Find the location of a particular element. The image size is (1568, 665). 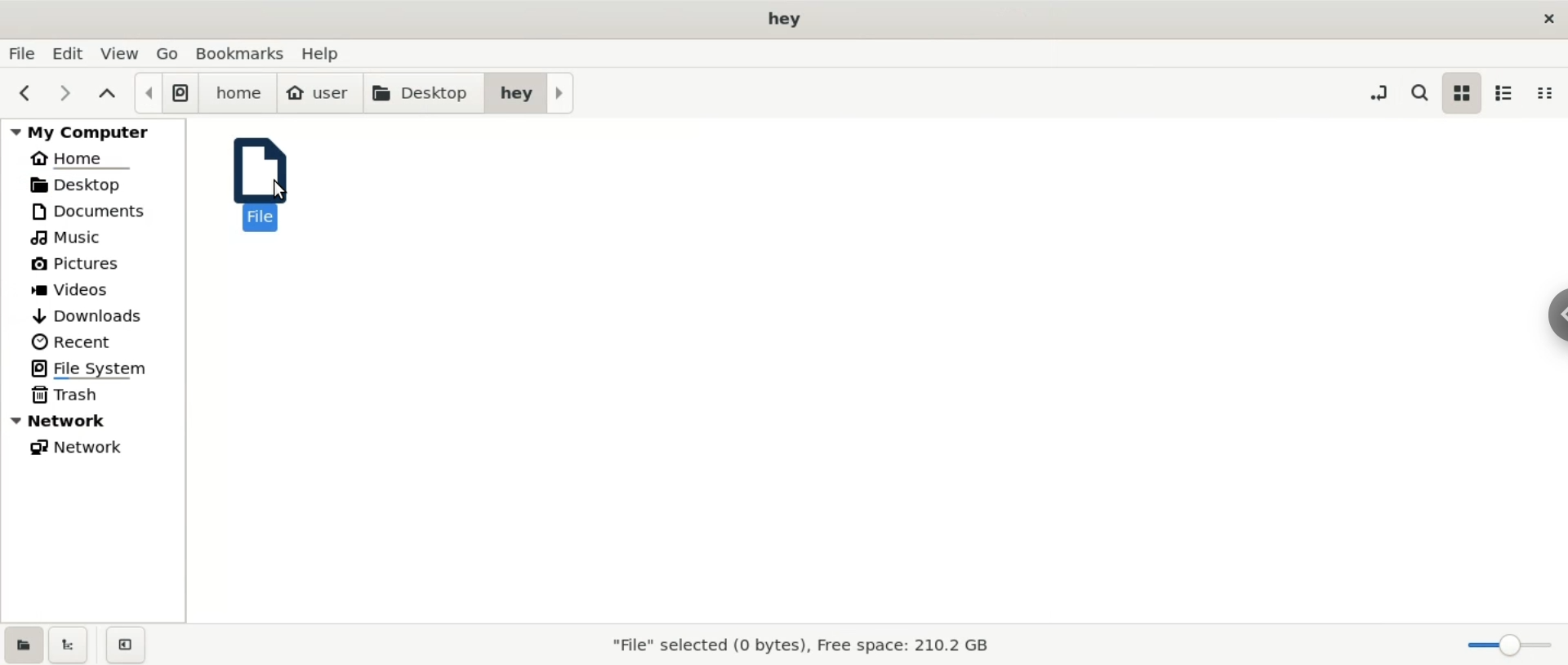

icon view is located at coordinates (1463, 94).